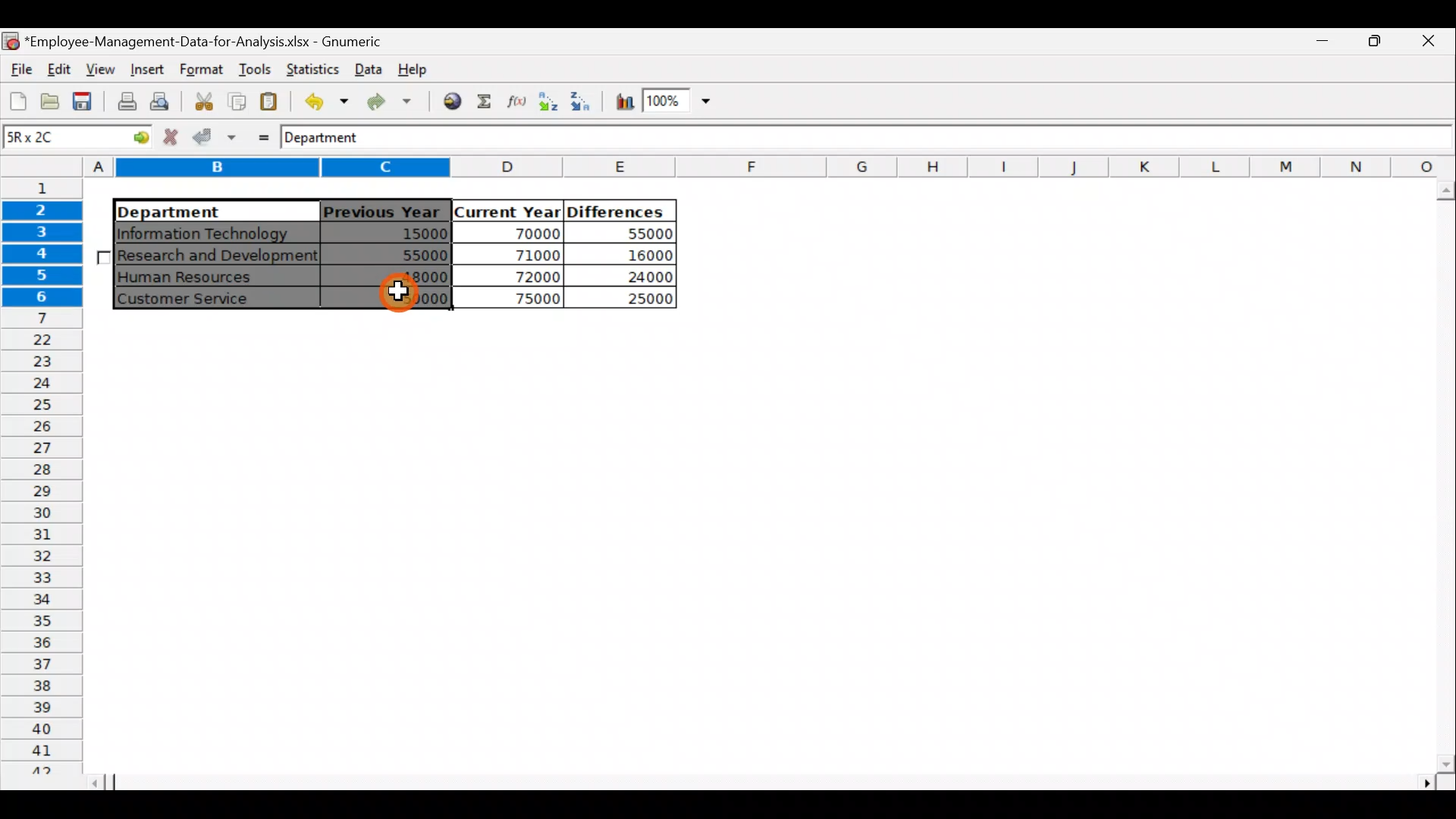 Image resolution: width=1456 pixels, height=819 pixels. I want to click on 16000, so click(638, 256).